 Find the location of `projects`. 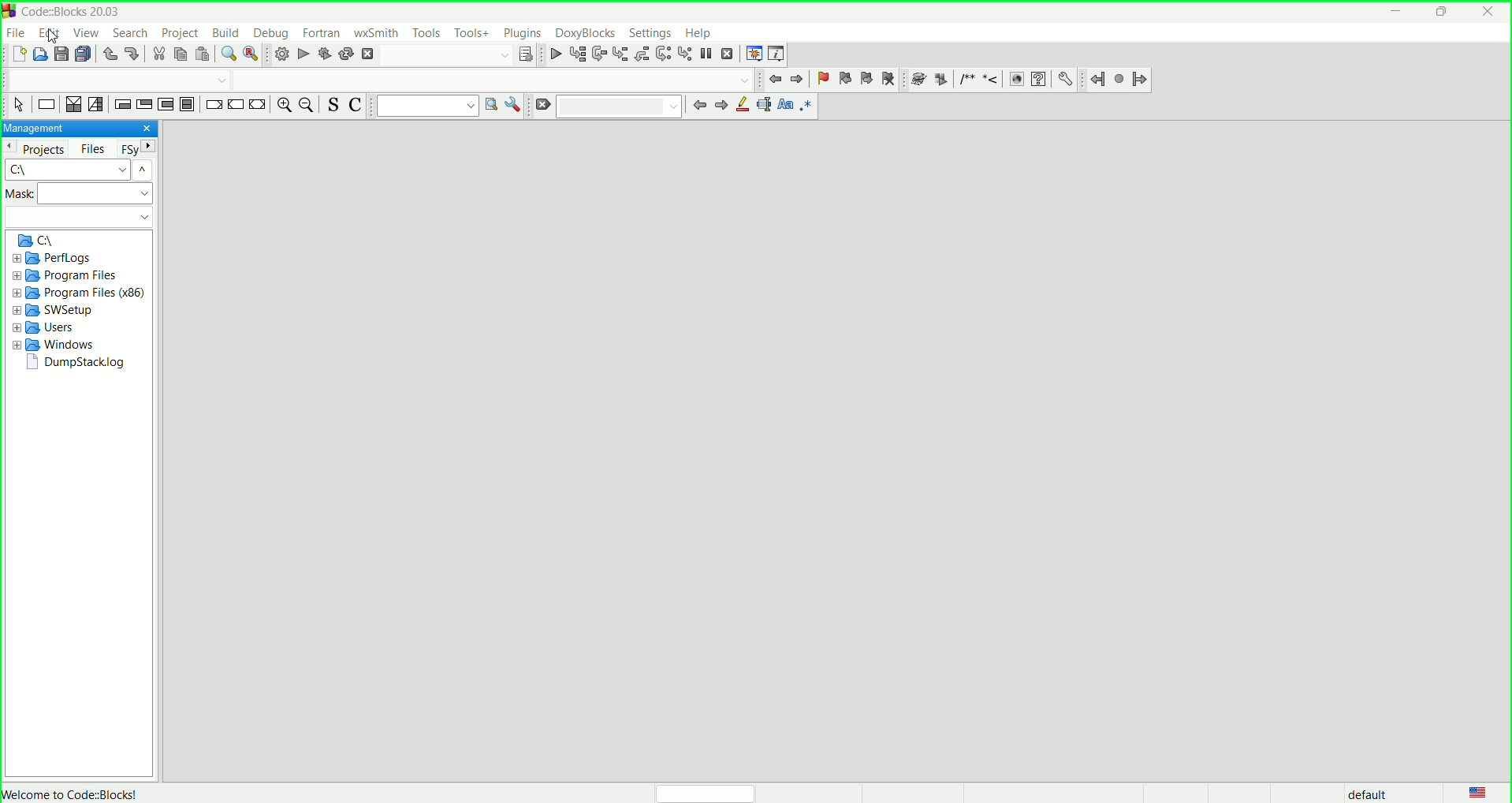

projects is located at coordinates (43, 148).